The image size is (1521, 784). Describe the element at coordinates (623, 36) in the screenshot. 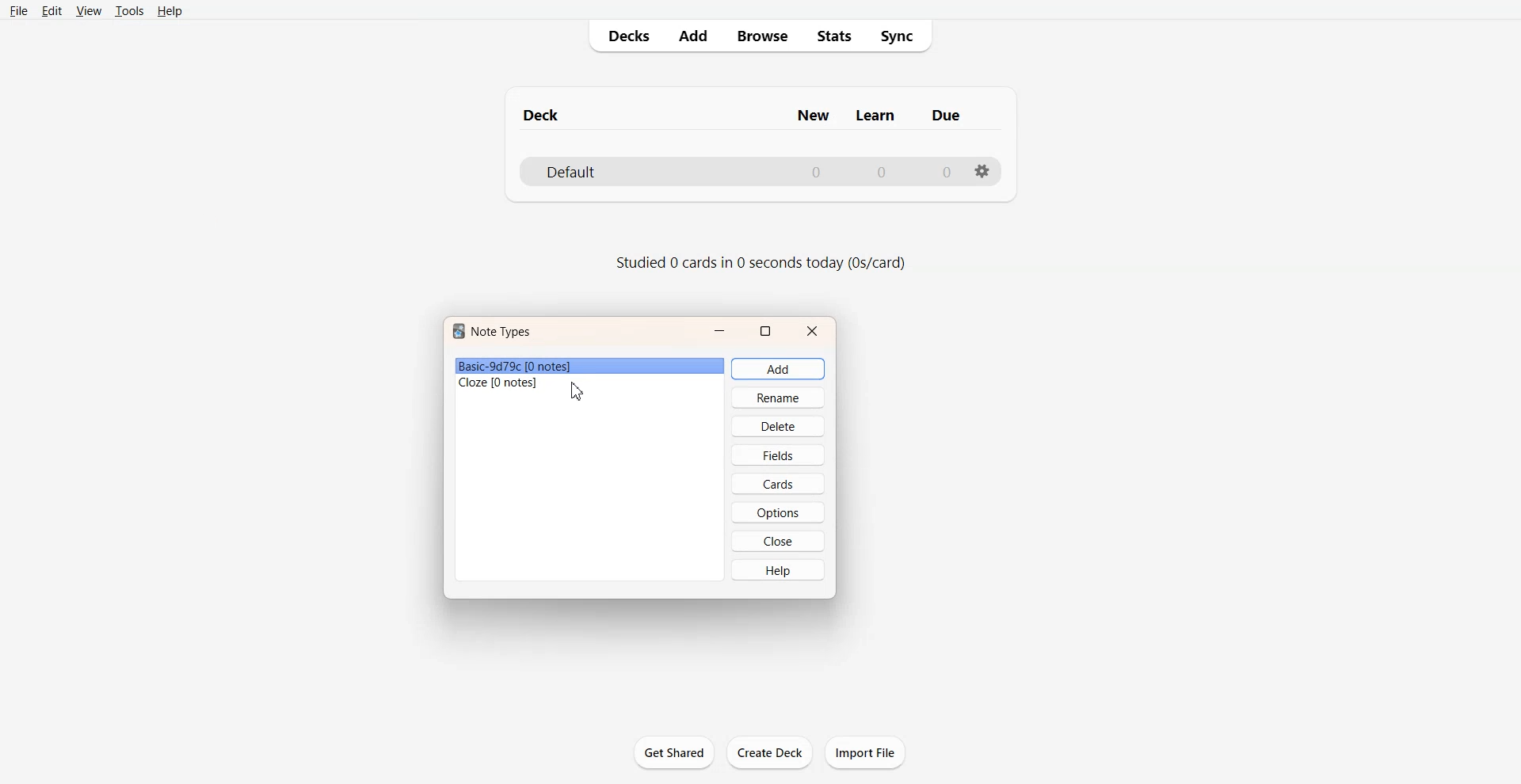

I see `Decks` at that location.